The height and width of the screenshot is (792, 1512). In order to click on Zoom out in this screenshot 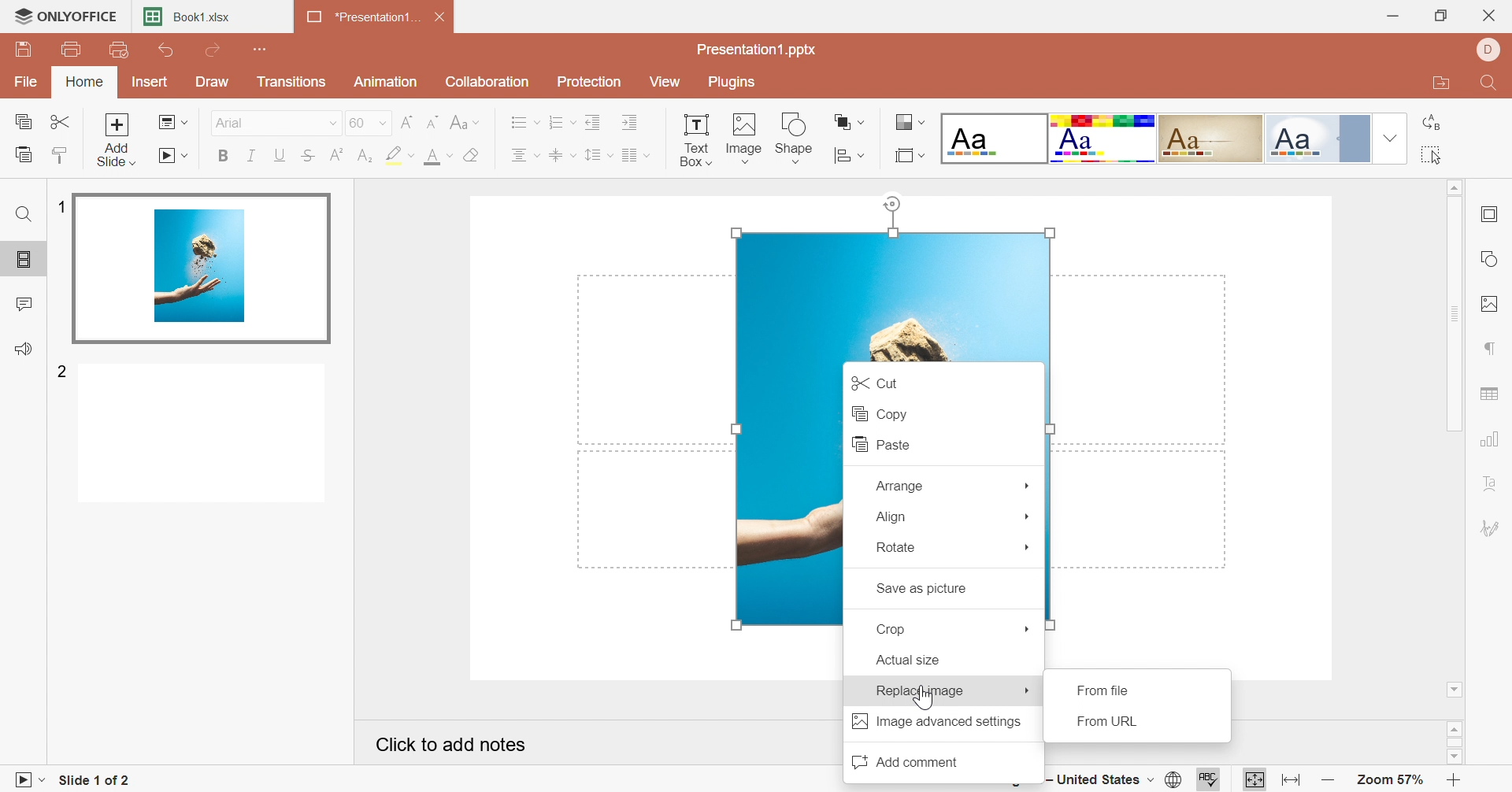, I will do `click(1325, 782)`.